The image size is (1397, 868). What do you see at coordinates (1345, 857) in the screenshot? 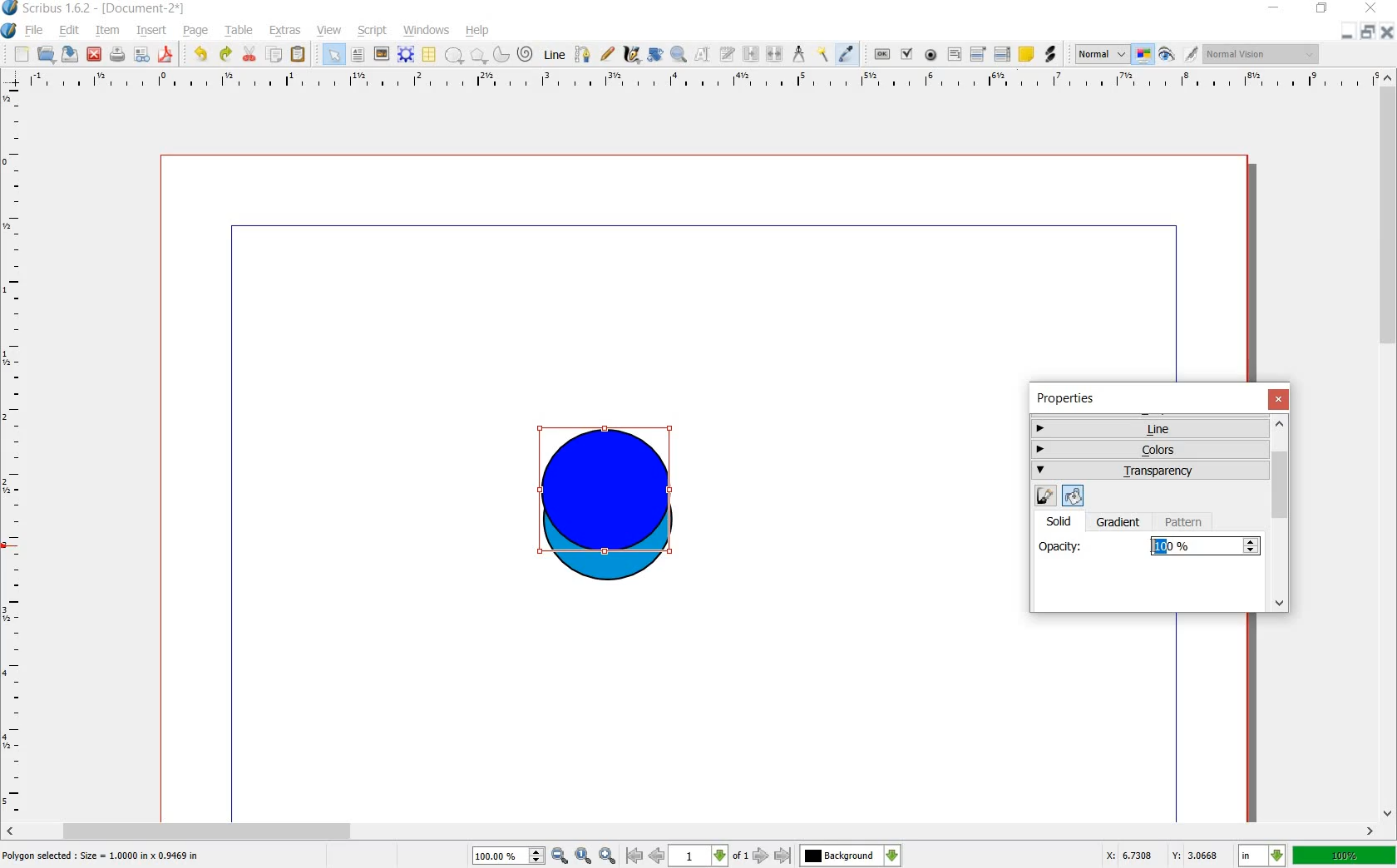
I see `100%` at bounding box center [1345, 857].